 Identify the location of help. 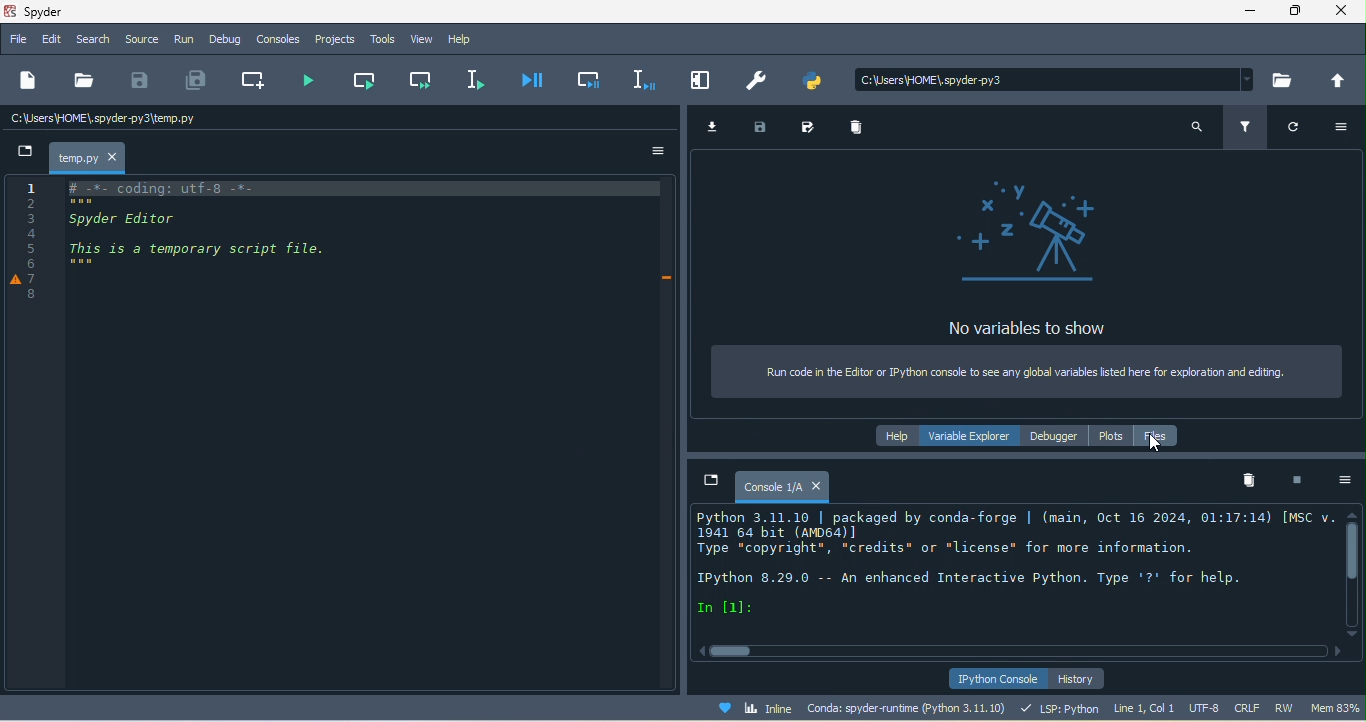
(893, 437).